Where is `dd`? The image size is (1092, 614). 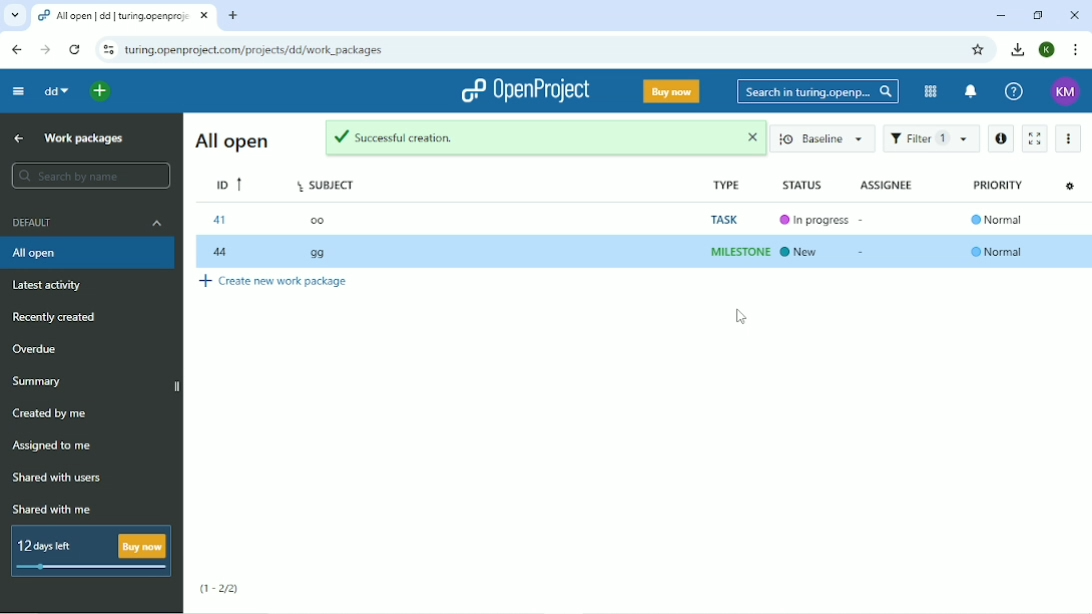
dd is located at coordinates (56, 91).